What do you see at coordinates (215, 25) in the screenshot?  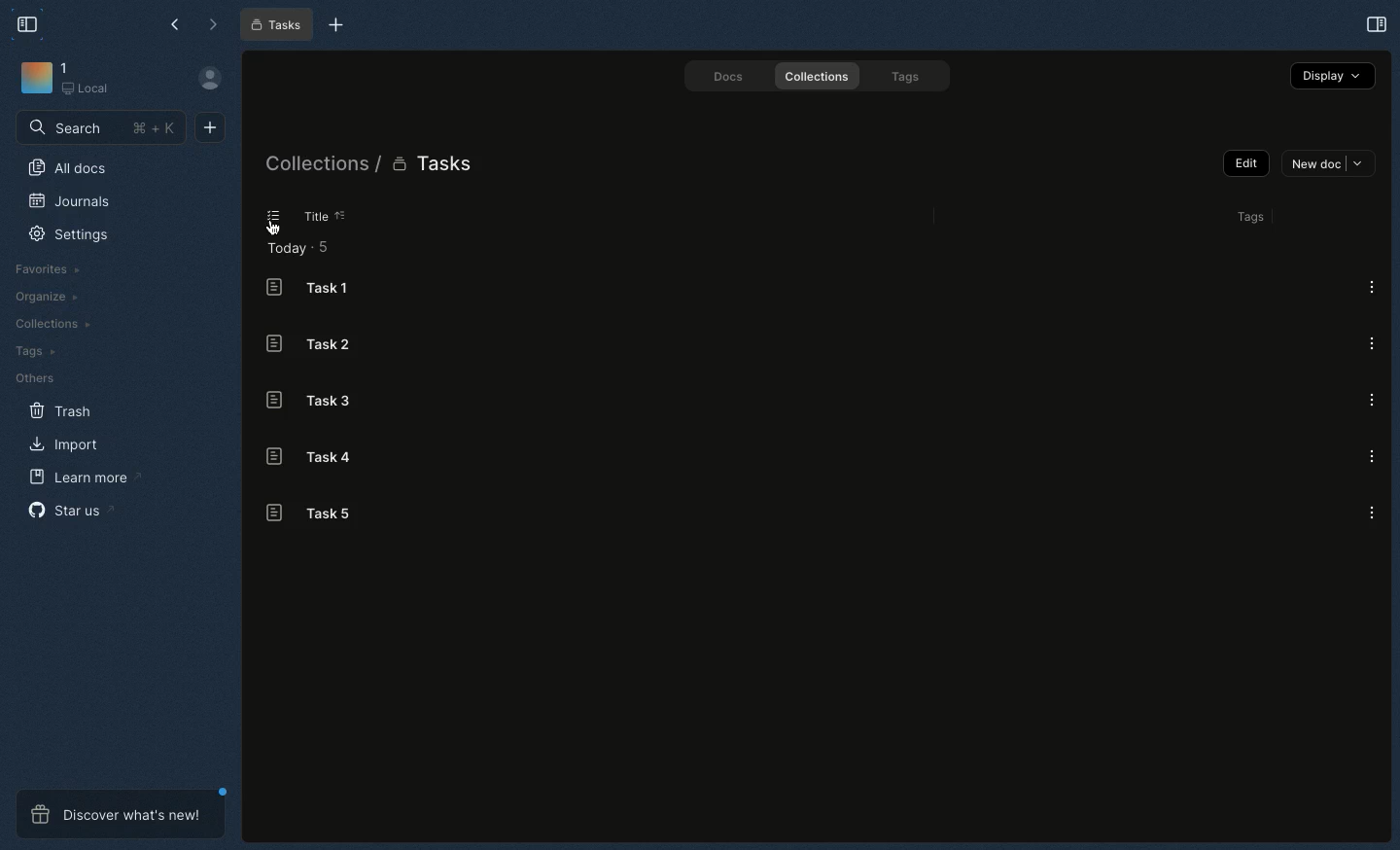 I see `Forward` at bounding box center [215, 25].